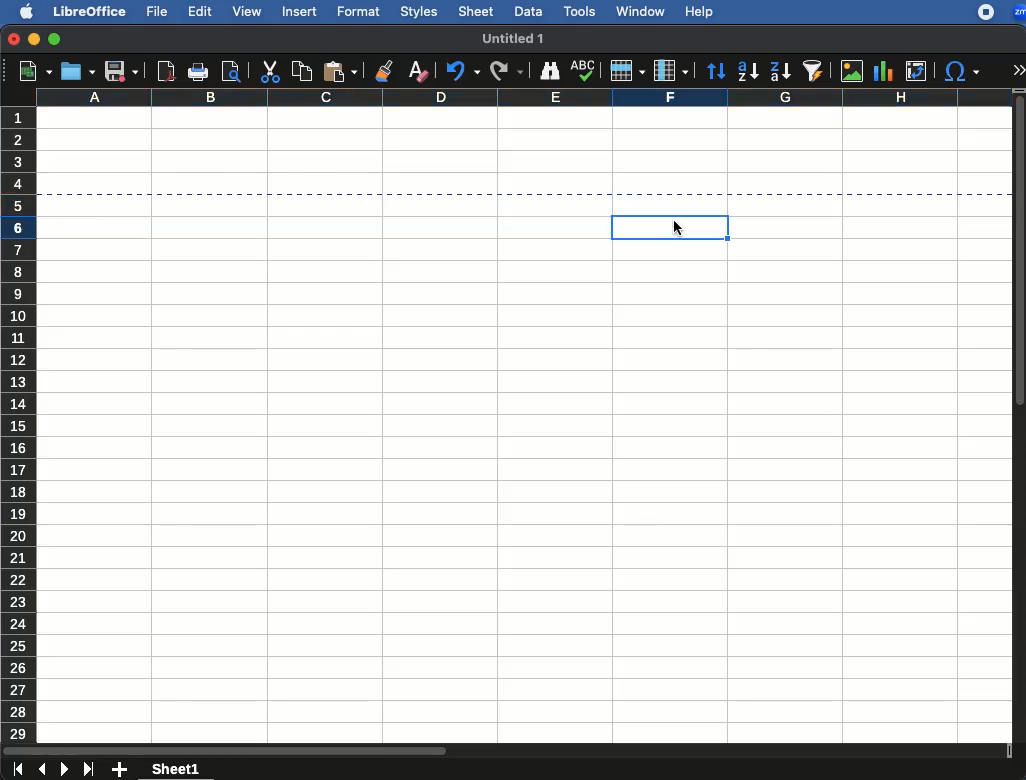 This screenshot has width=1026, height=780. What do you see at coordinates (514, 37) in the screenshot?
I see `untitled` at bounding box center [514, 37].